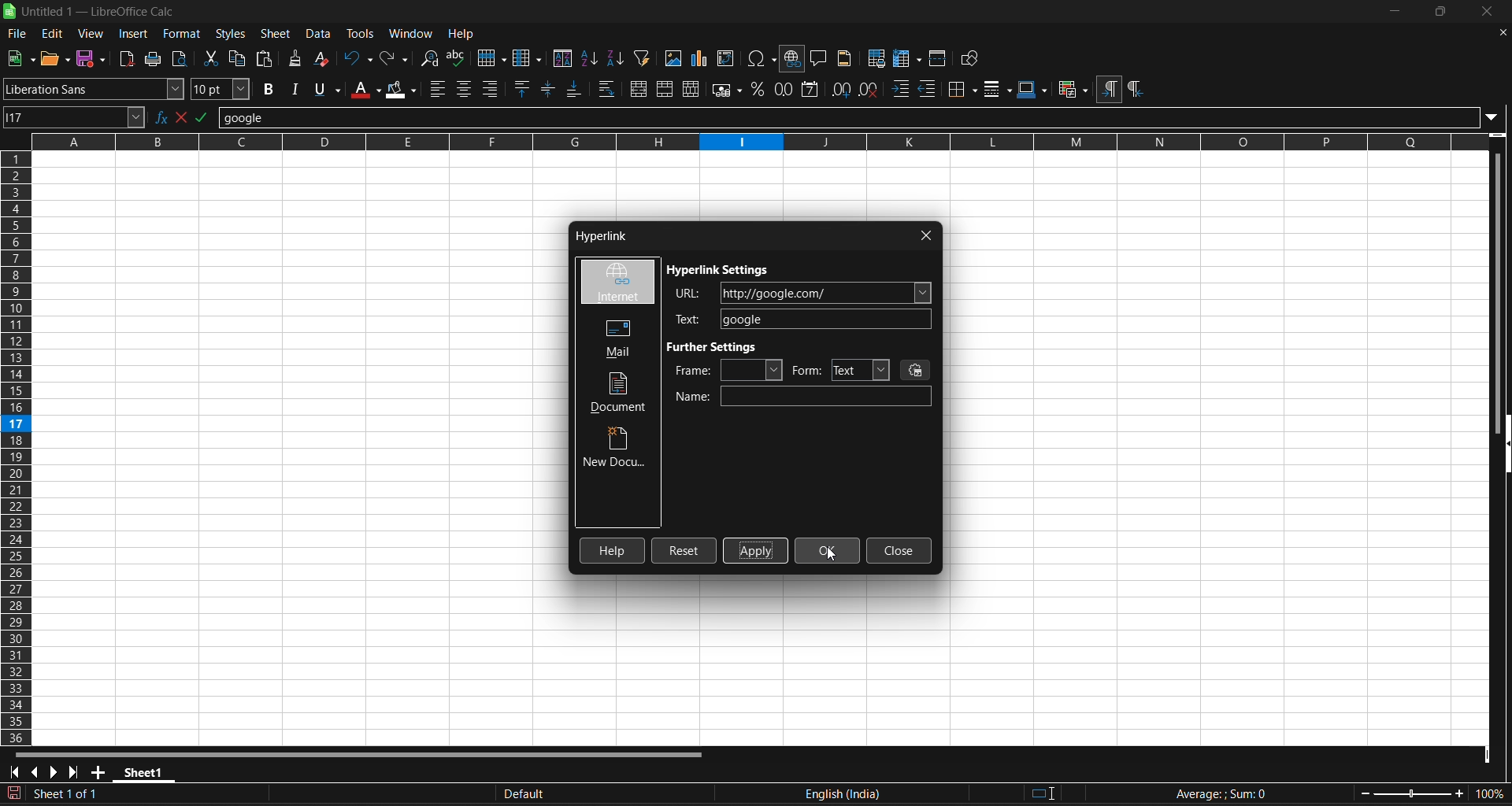 The image size is (1512, 806). I want to click on left to right, so click(1109, 88).